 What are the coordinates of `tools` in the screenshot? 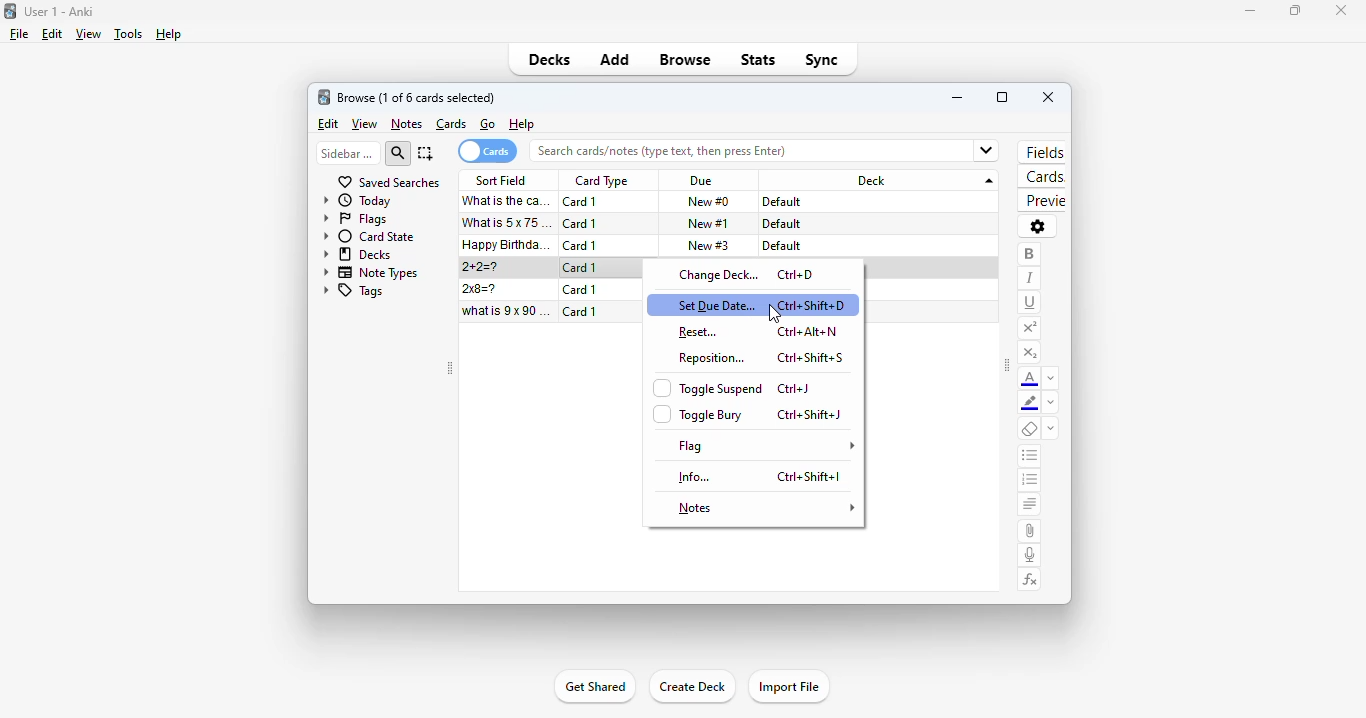 It's located at (127, 35).